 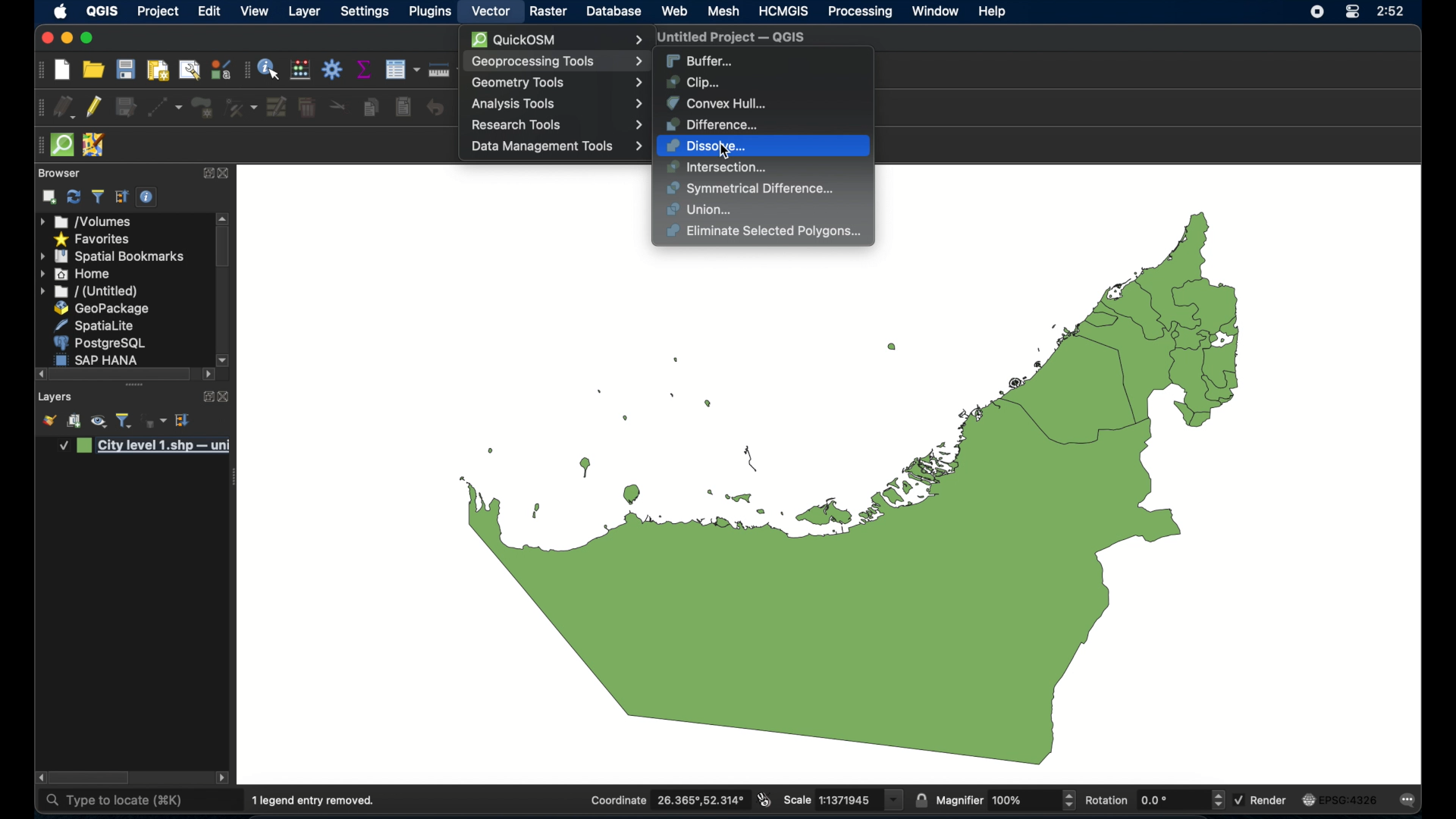 I want to click on plugins, so click(x=430, y=12).